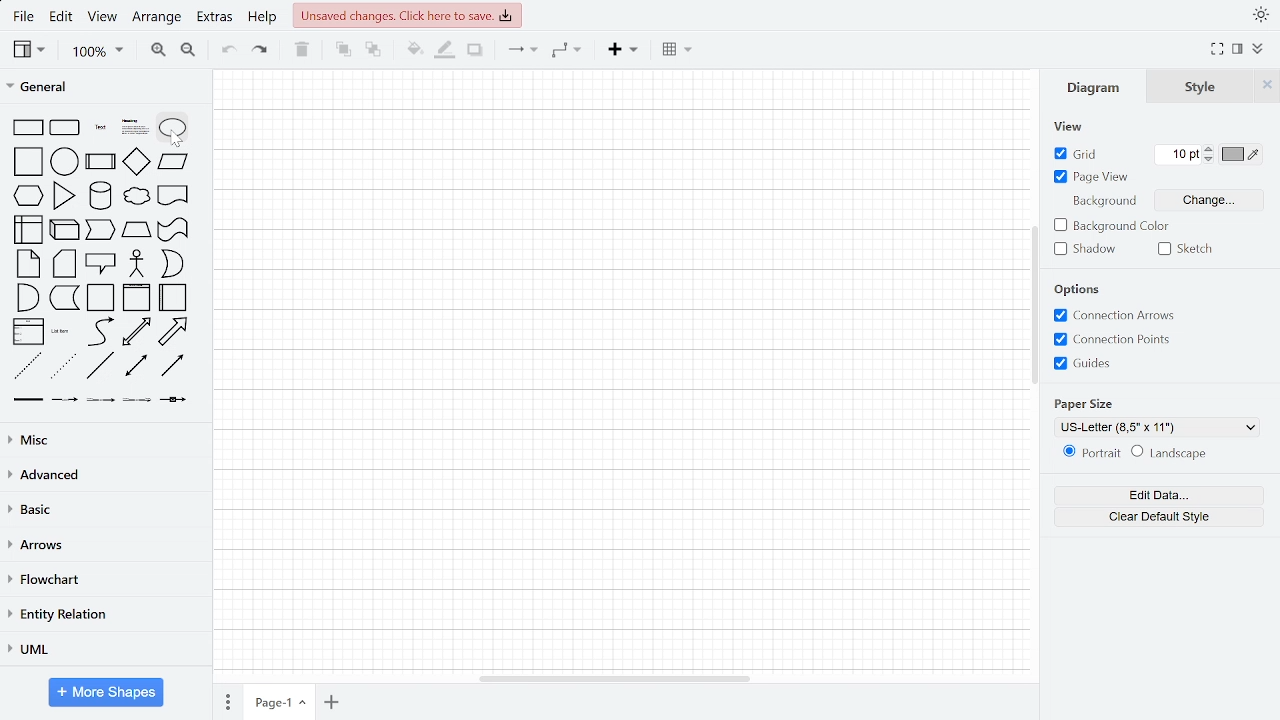  I want to click on arrange, so click(158, 20).